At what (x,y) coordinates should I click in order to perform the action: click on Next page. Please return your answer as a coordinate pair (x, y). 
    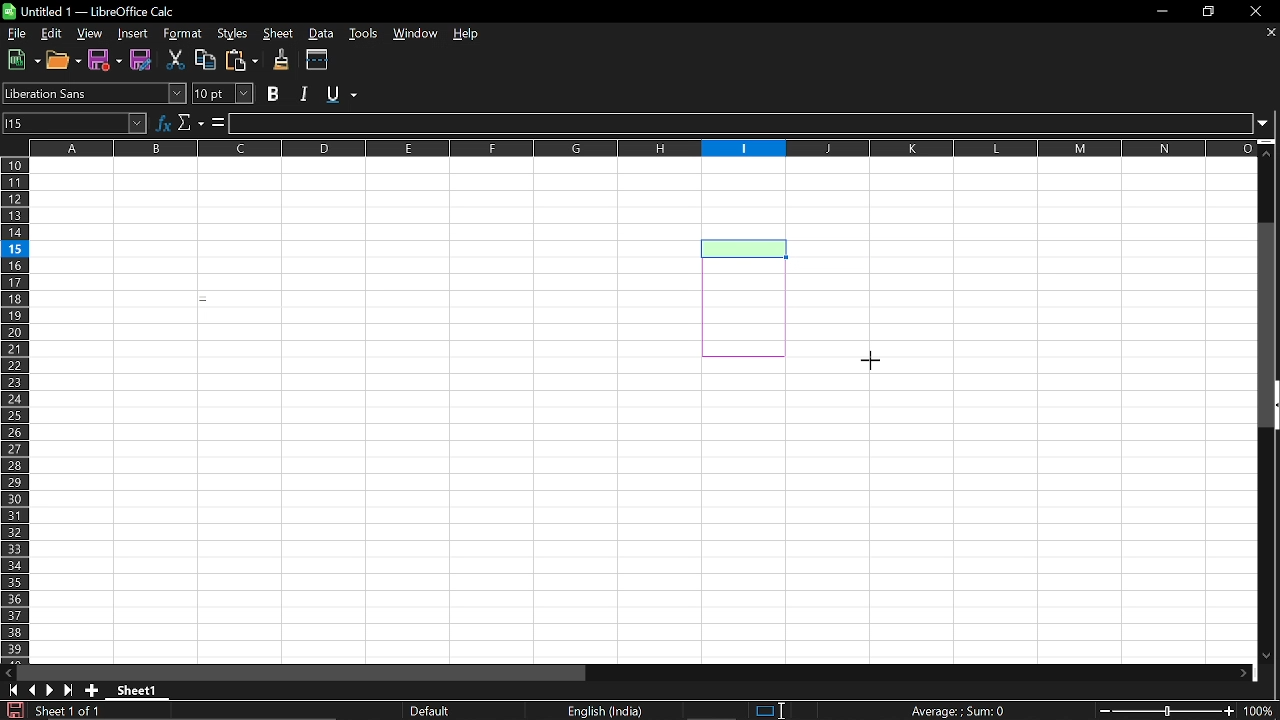
    Looking at the image, I should click on (51, 691).